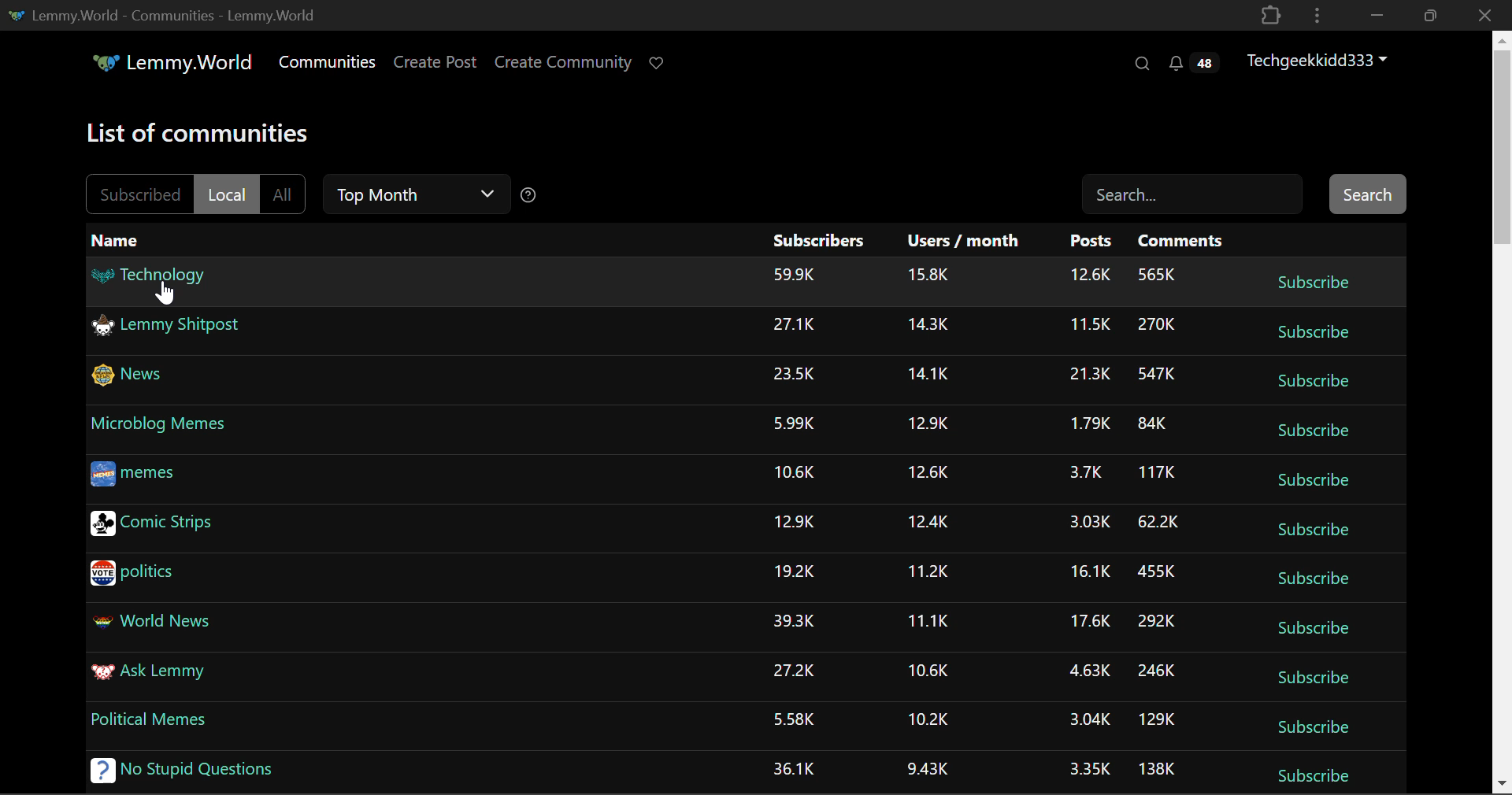  What do you see at coordinates (927, 569) in the screenshot?
I see `Amount ` at bounding box center [927, 569].